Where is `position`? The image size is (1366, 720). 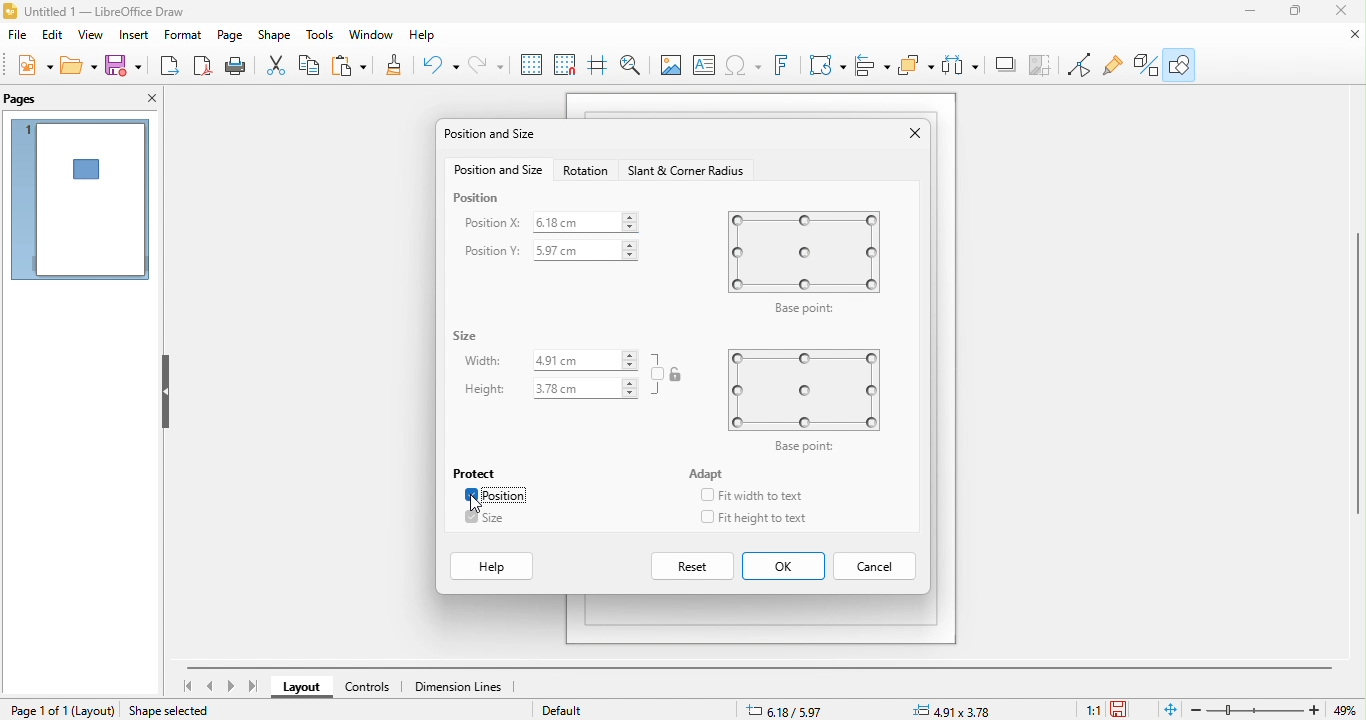 position is located at coordinates (505, 496).